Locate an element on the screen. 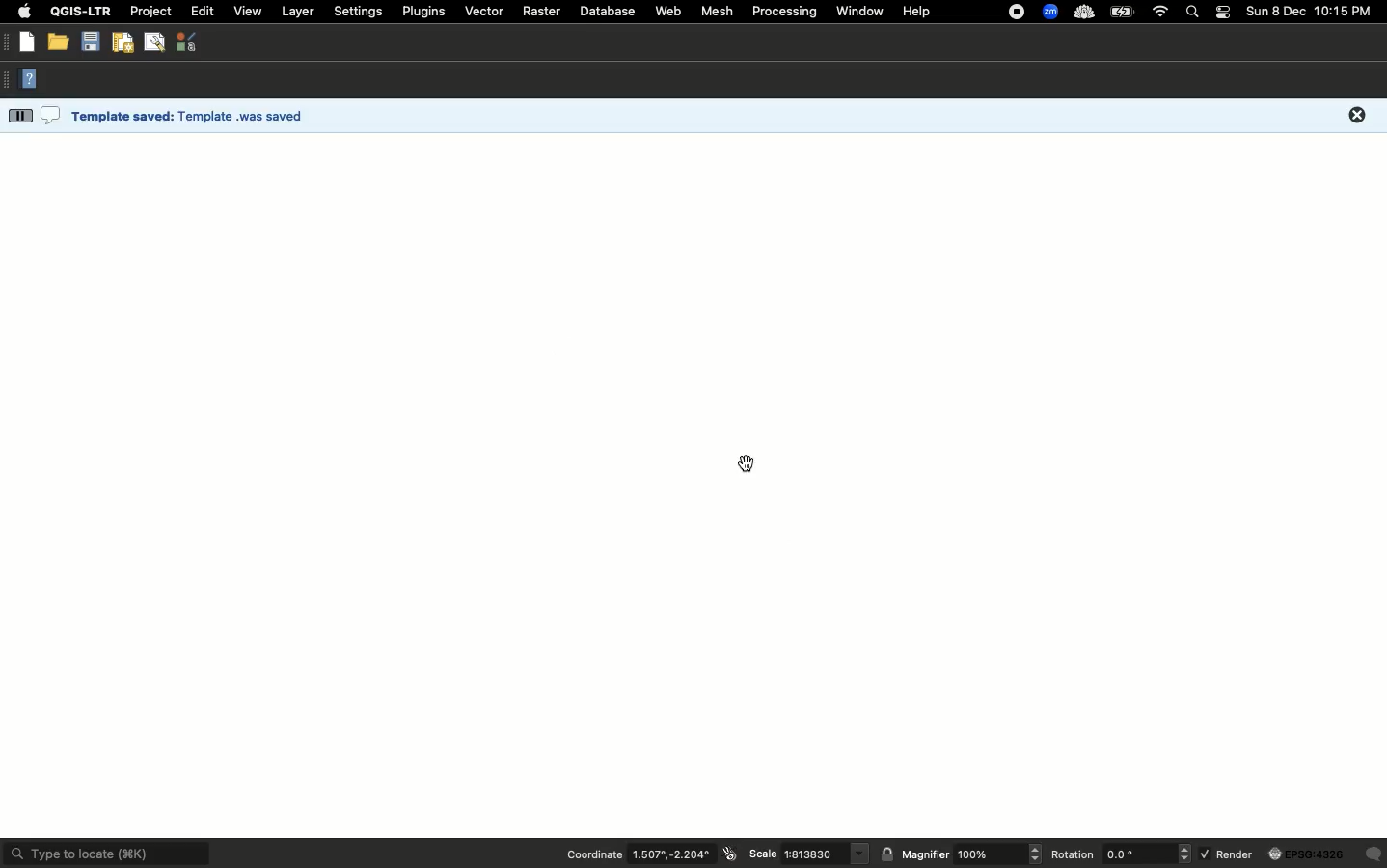  New  is located at coordinates (23, 41).